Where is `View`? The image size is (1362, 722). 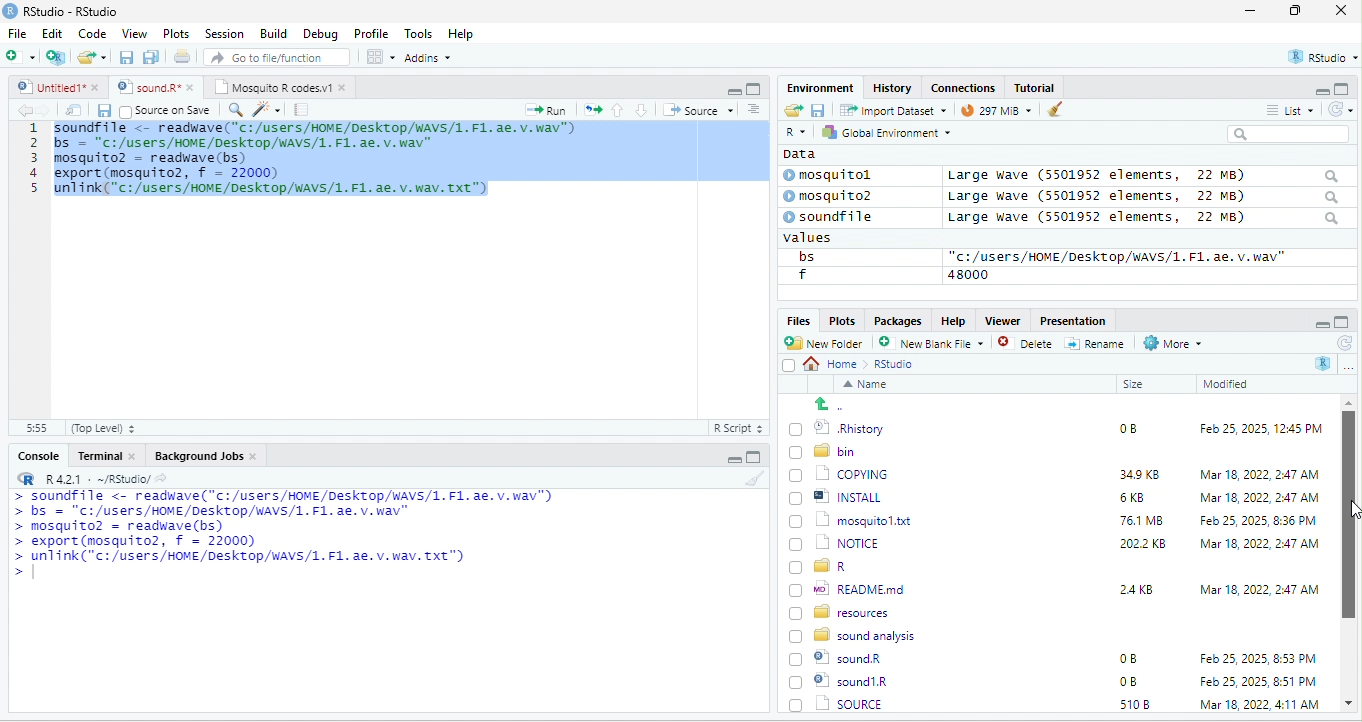
View is located at coordinates (133, 35).